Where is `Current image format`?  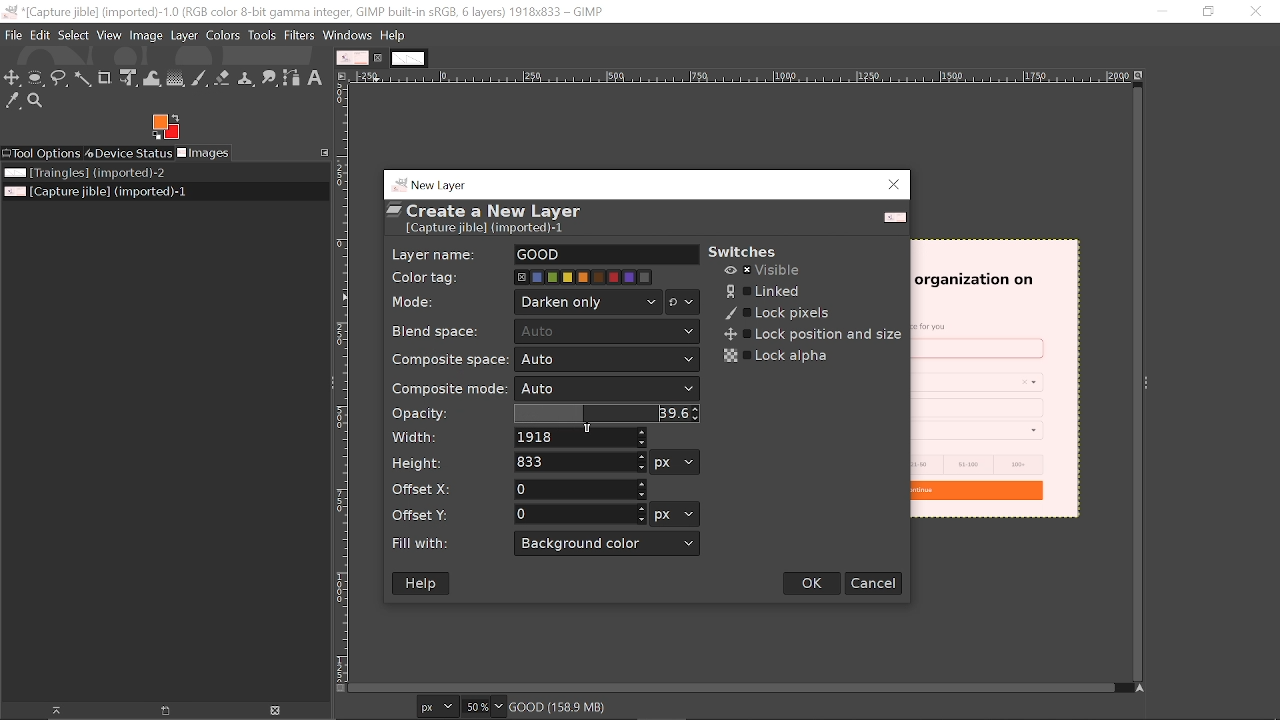
Current image format is located at coordinates (440, 708).